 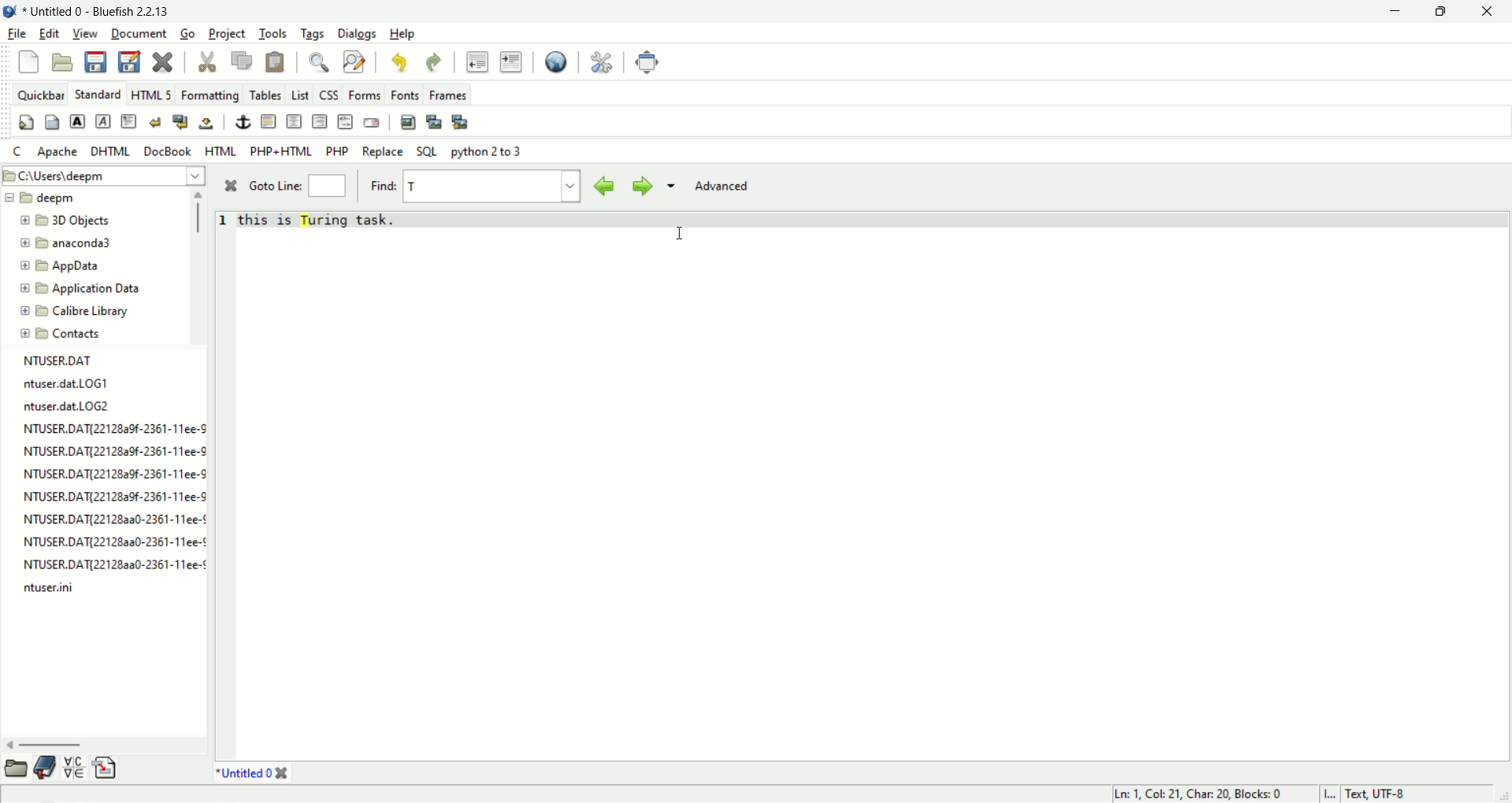 What do you see at coordinates (98, 93) in the screenshot?
I see `standard` at bounding box center [98, 93].